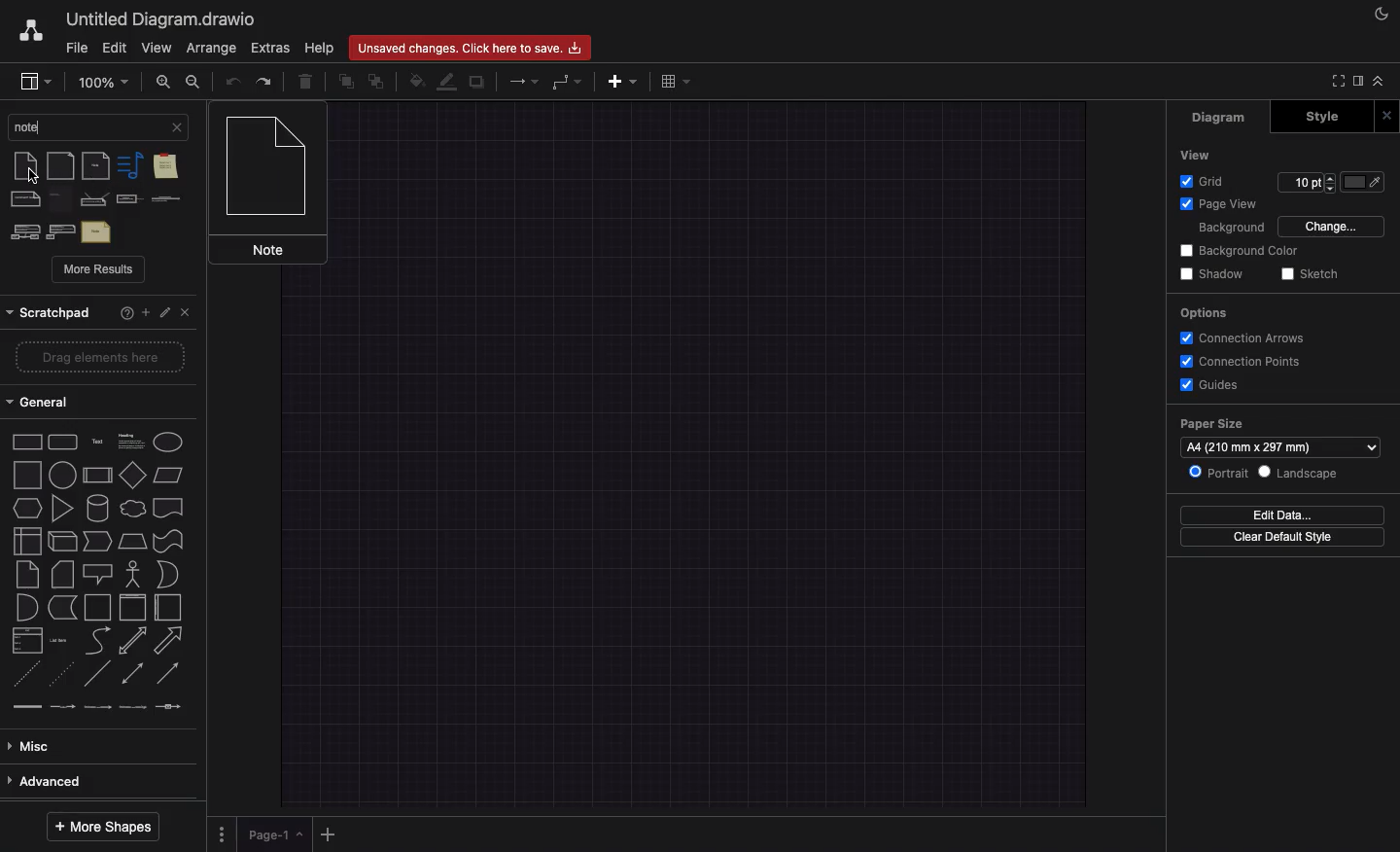 The image size is (1400, 852). What do you see at coordinates (416, 82) in the screenshot?
I see `Fill color` at bounding box center [416, 82].